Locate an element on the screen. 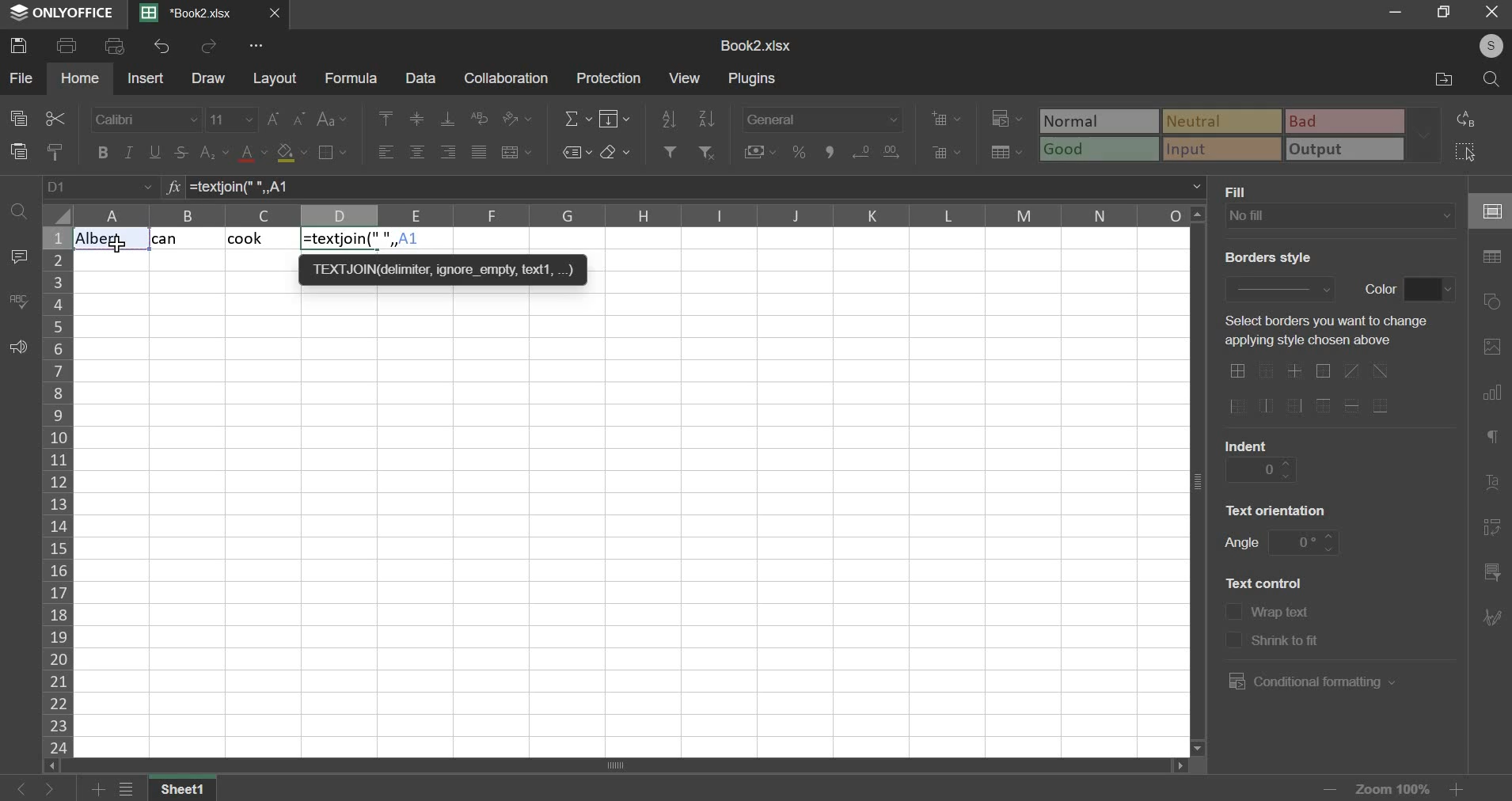 Image resolution: width=1512 pixels, height=801 pixels. border is located at coordinates (332, 151).